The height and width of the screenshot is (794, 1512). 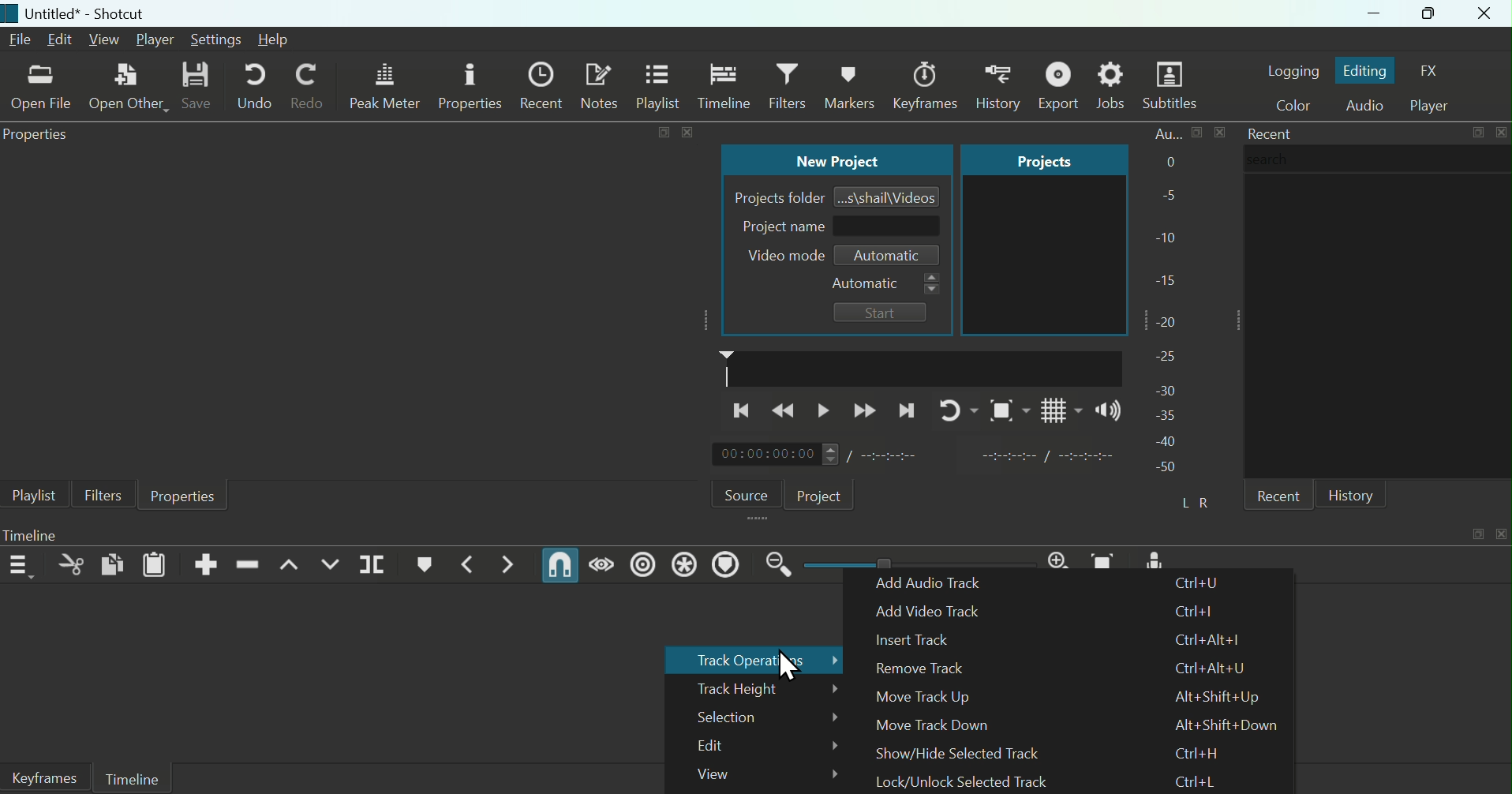 What do you see at coordinates (941, 698) in the screenshot?
I see `Move Track Up` at bounding box center [941, 698].